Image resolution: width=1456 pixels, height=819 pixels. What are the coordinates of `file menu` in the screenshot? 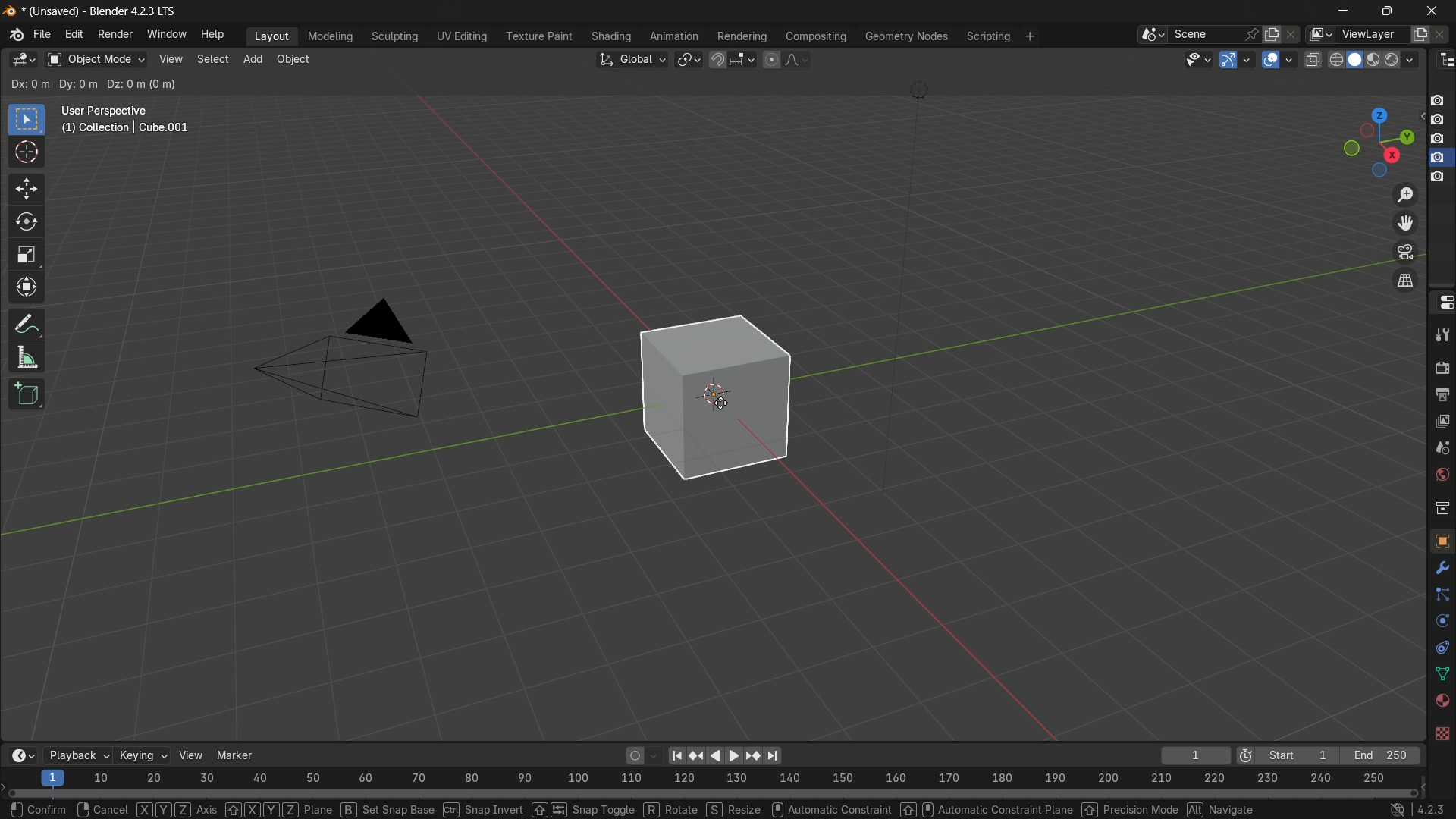 It's located at (42, 33).